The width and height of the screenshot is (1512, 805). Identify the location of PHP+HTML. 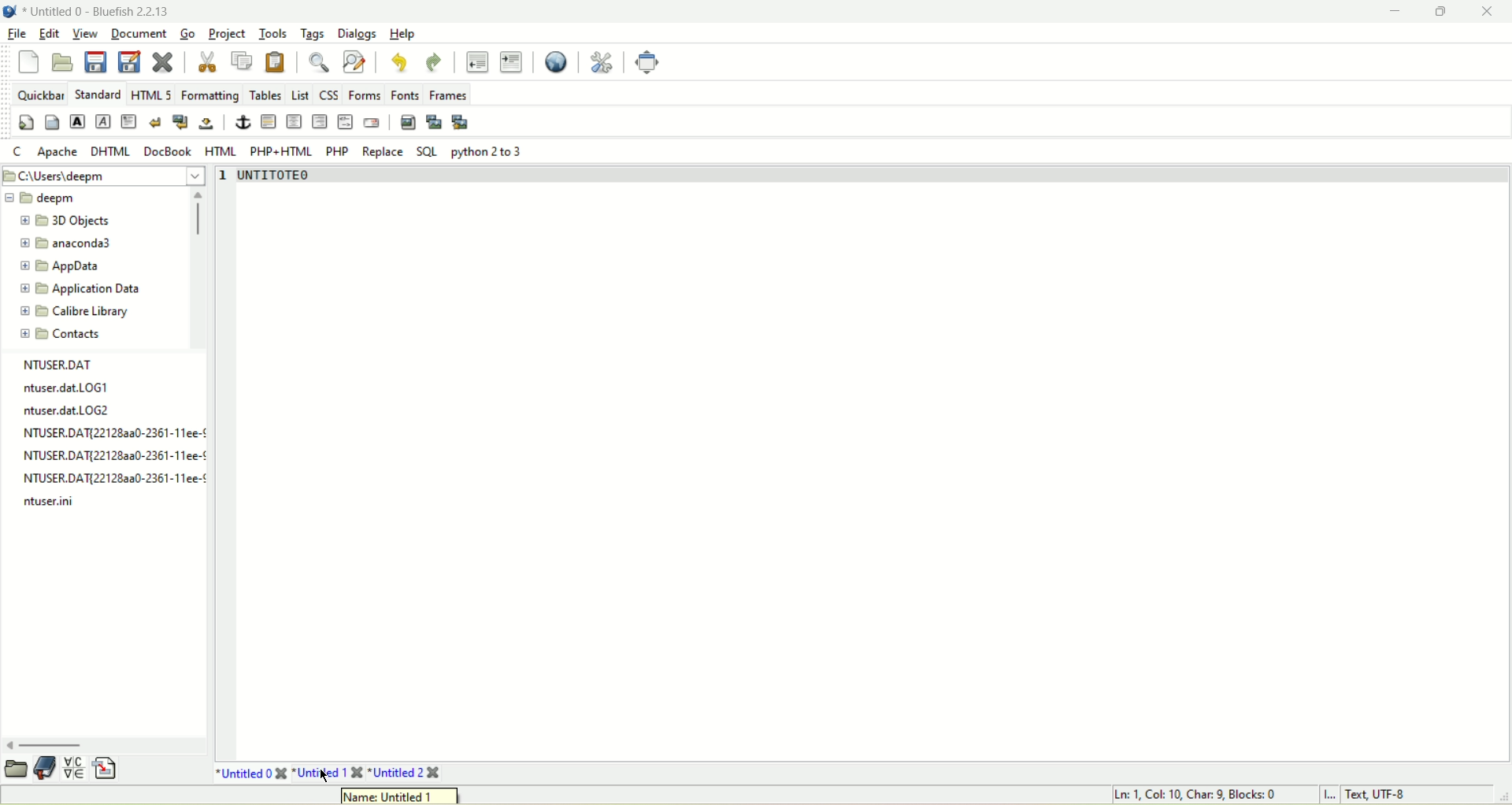
(279, 150).